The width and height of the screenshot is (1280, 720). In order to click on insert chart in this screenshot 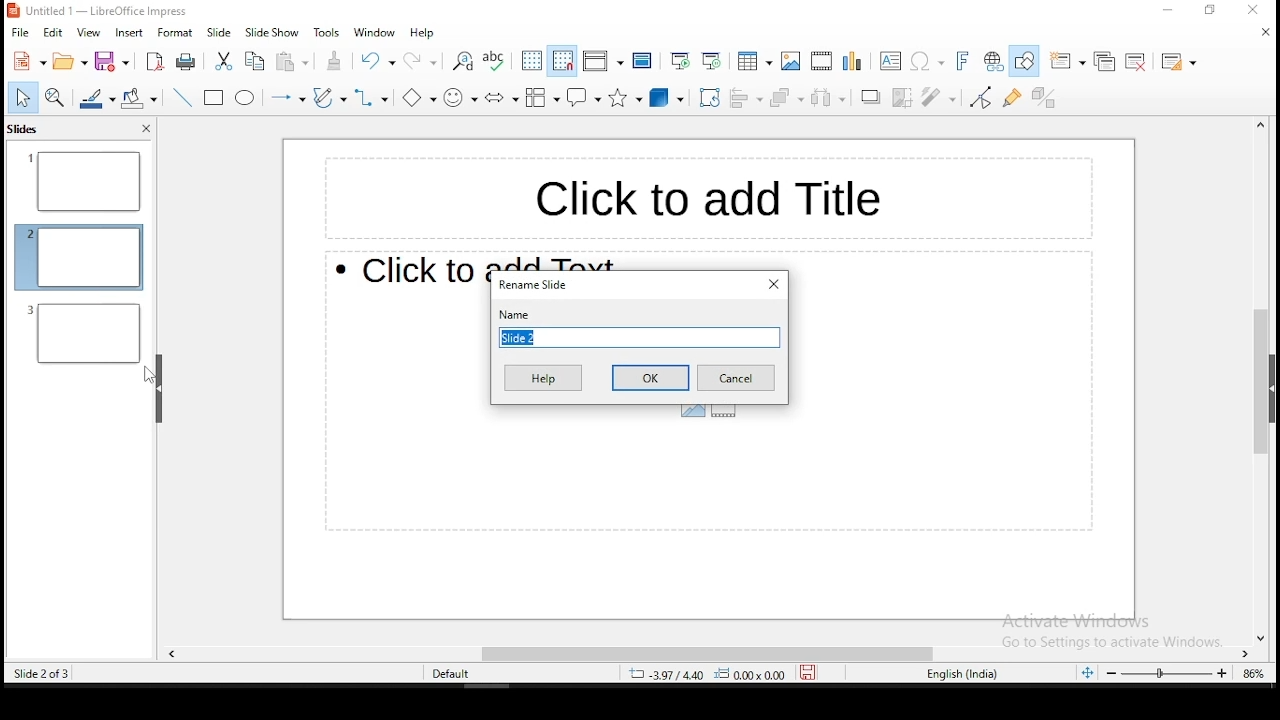, I will do `click(851, 61)`.